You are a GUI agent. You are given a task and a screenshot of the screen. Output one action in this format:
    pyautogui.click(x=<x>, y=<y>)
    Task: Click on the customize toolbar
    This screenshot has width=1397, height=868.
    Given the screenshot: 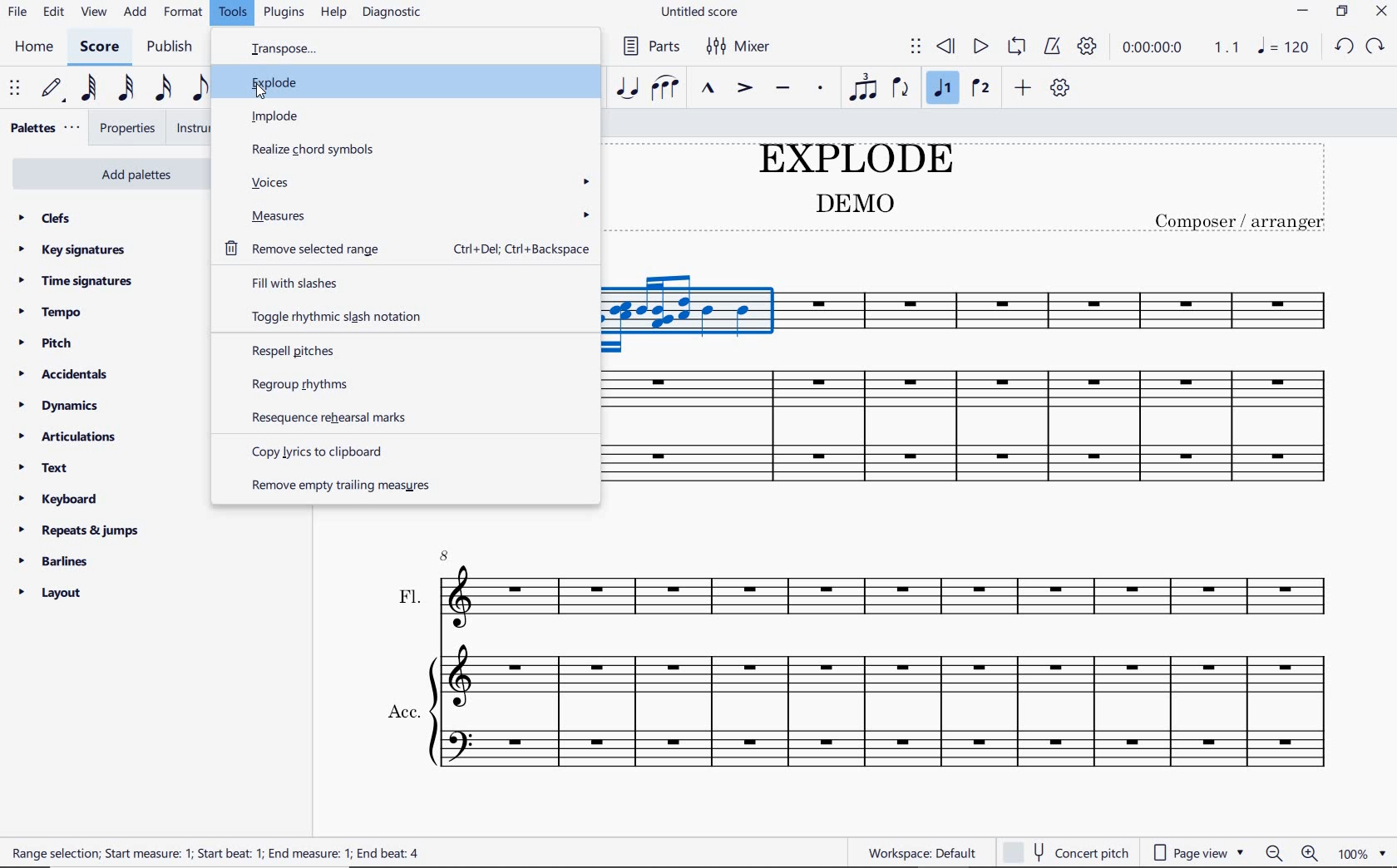 What is the action you would take?
    pyautogui.click(x=1063, y=87)
    